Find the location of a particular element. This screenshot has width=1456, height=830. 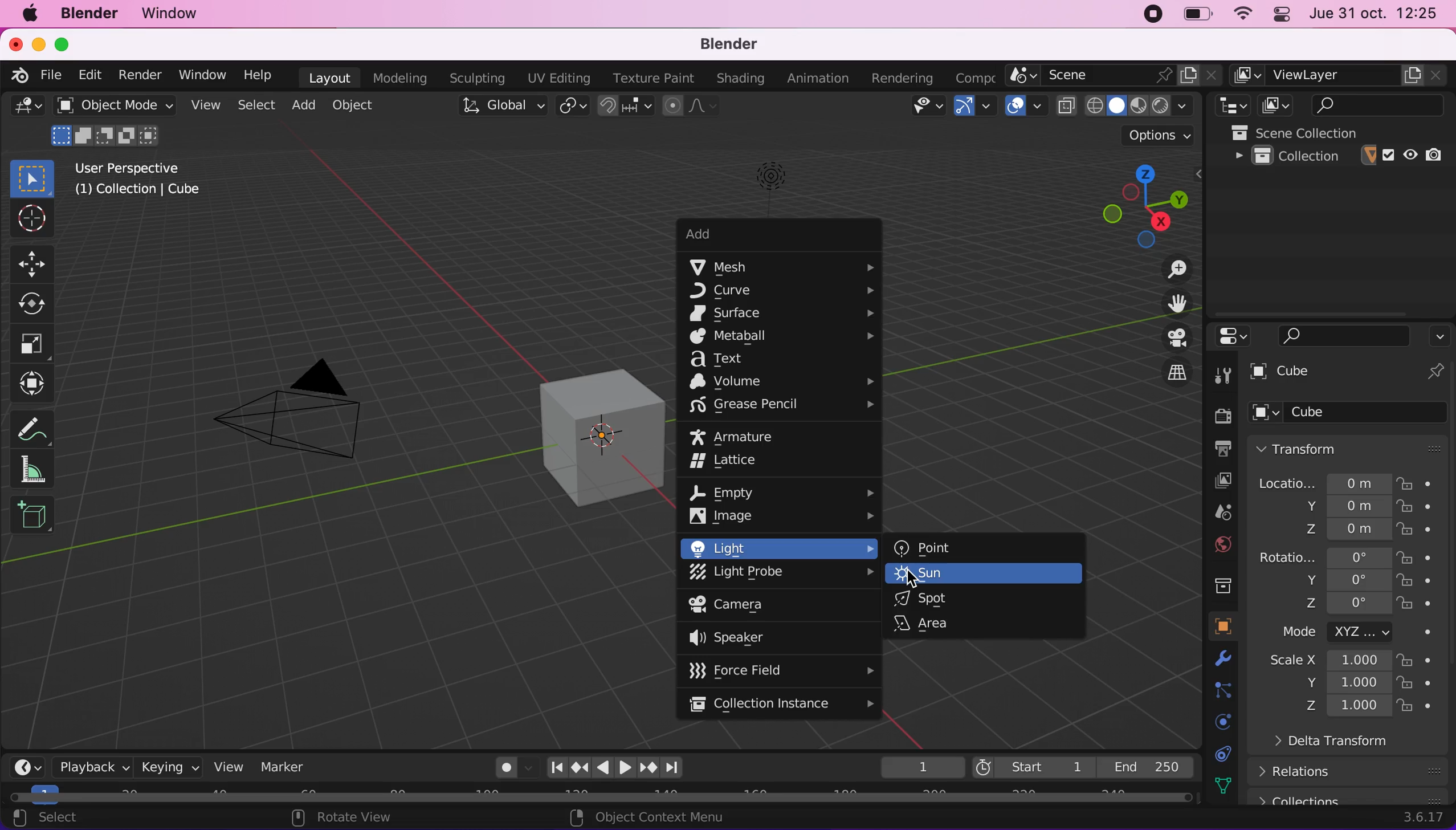

lock is located at coordinates (1427, 582).